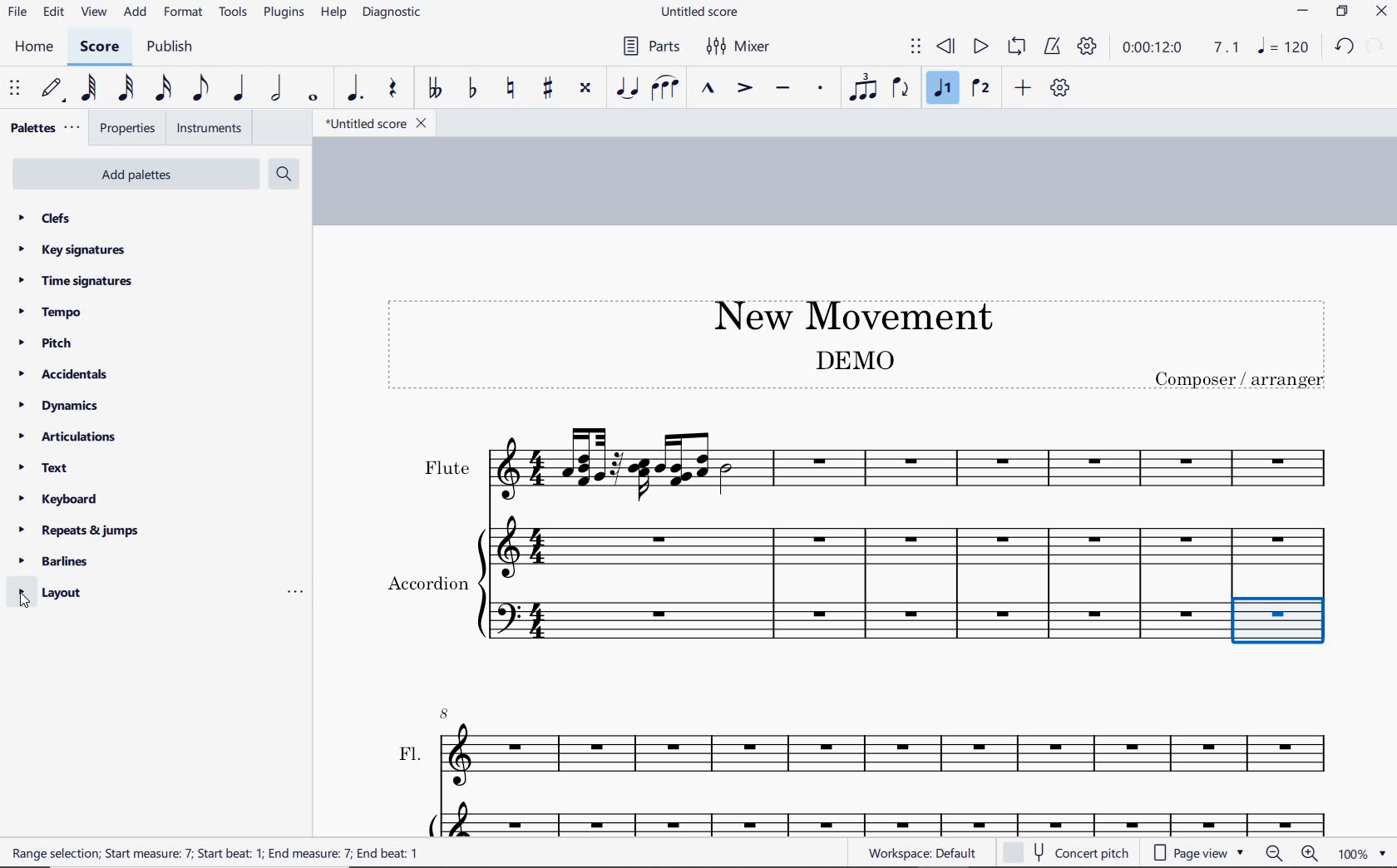 This screenshot has height=868, width=1397. I want to click on redo, so click(1377, 45).